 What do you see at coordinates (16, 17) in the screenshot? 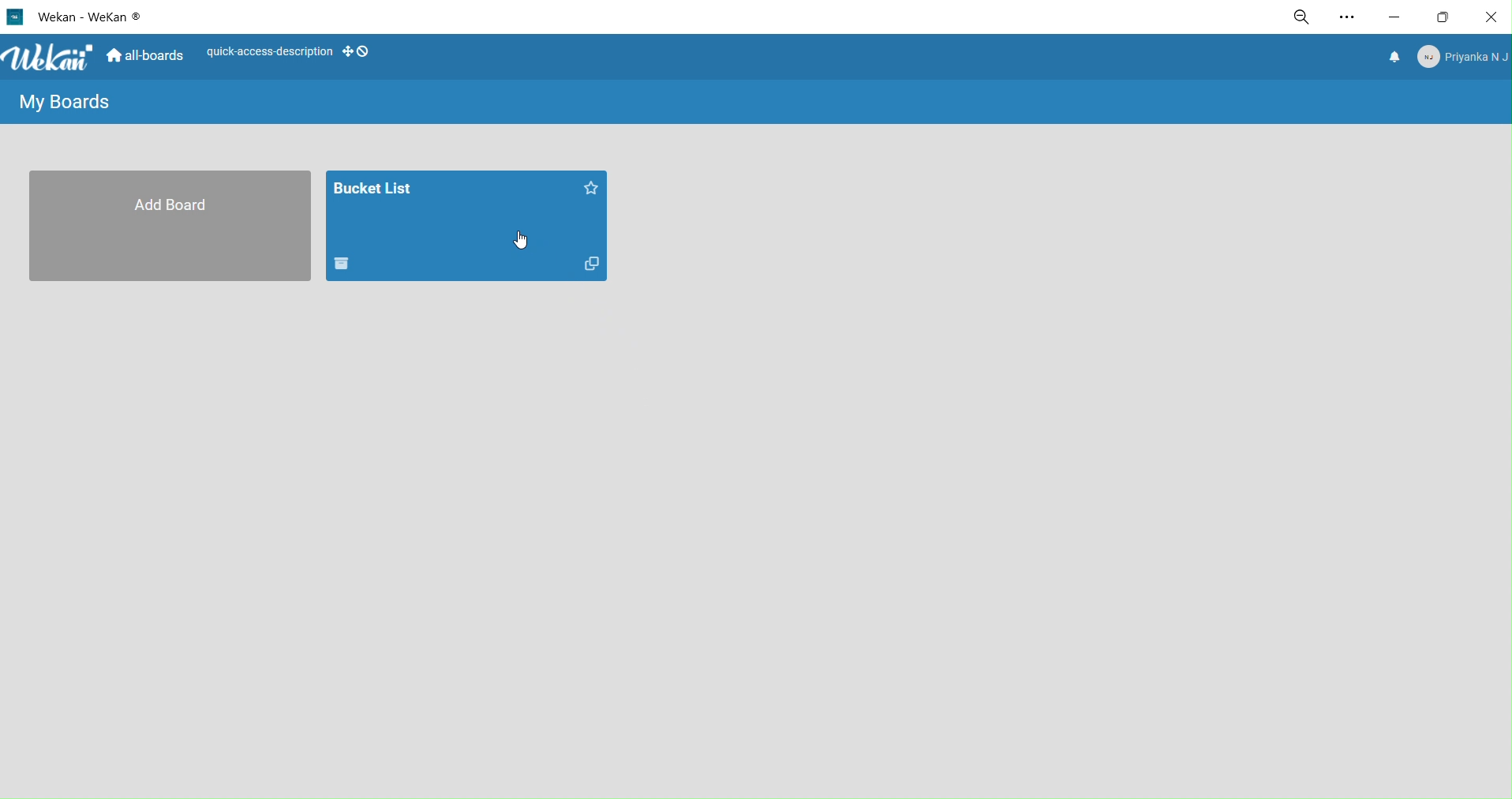
I see `logo` at bounding box center [16, 17].